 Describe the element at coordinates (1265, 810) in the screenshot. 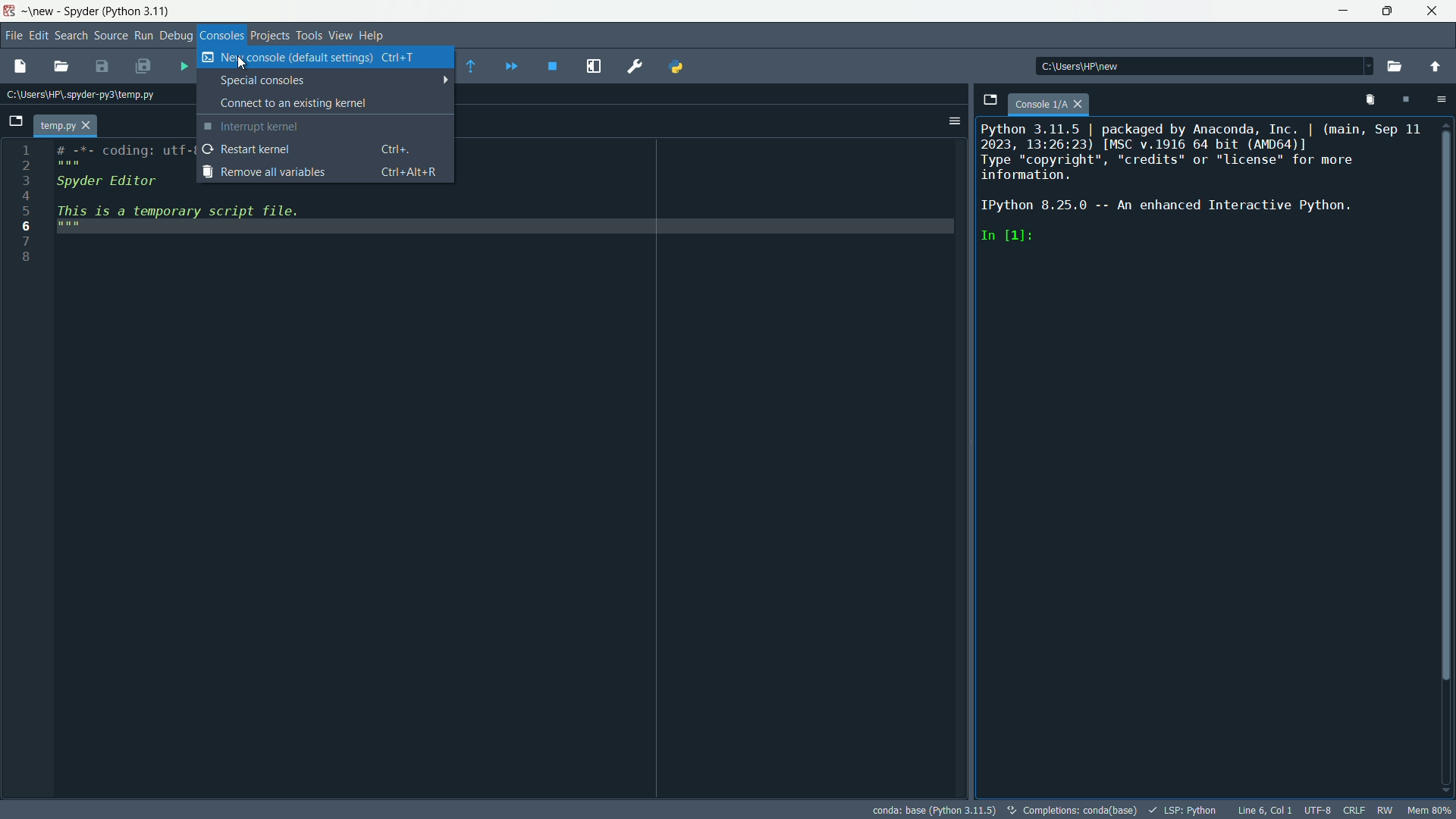

I see `cursor position` at that location.